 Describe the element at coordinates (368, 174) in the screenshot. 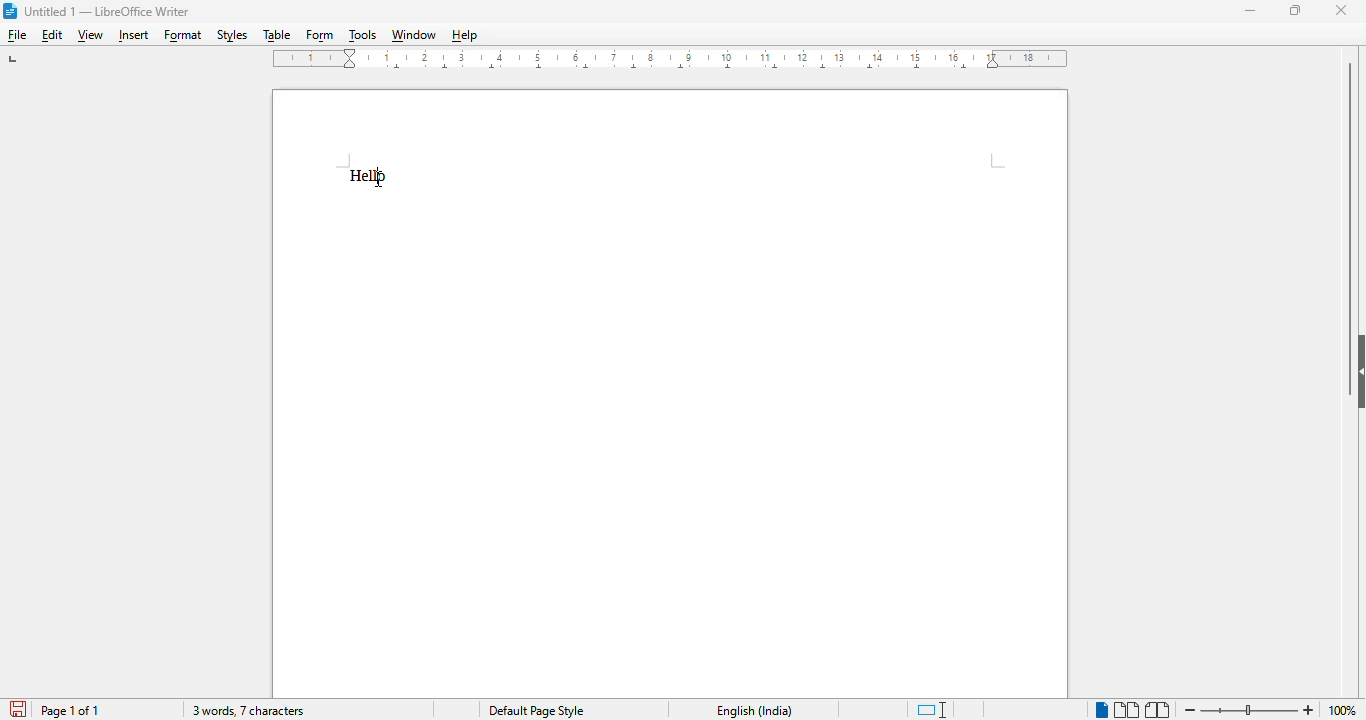

I see `text` at that location.